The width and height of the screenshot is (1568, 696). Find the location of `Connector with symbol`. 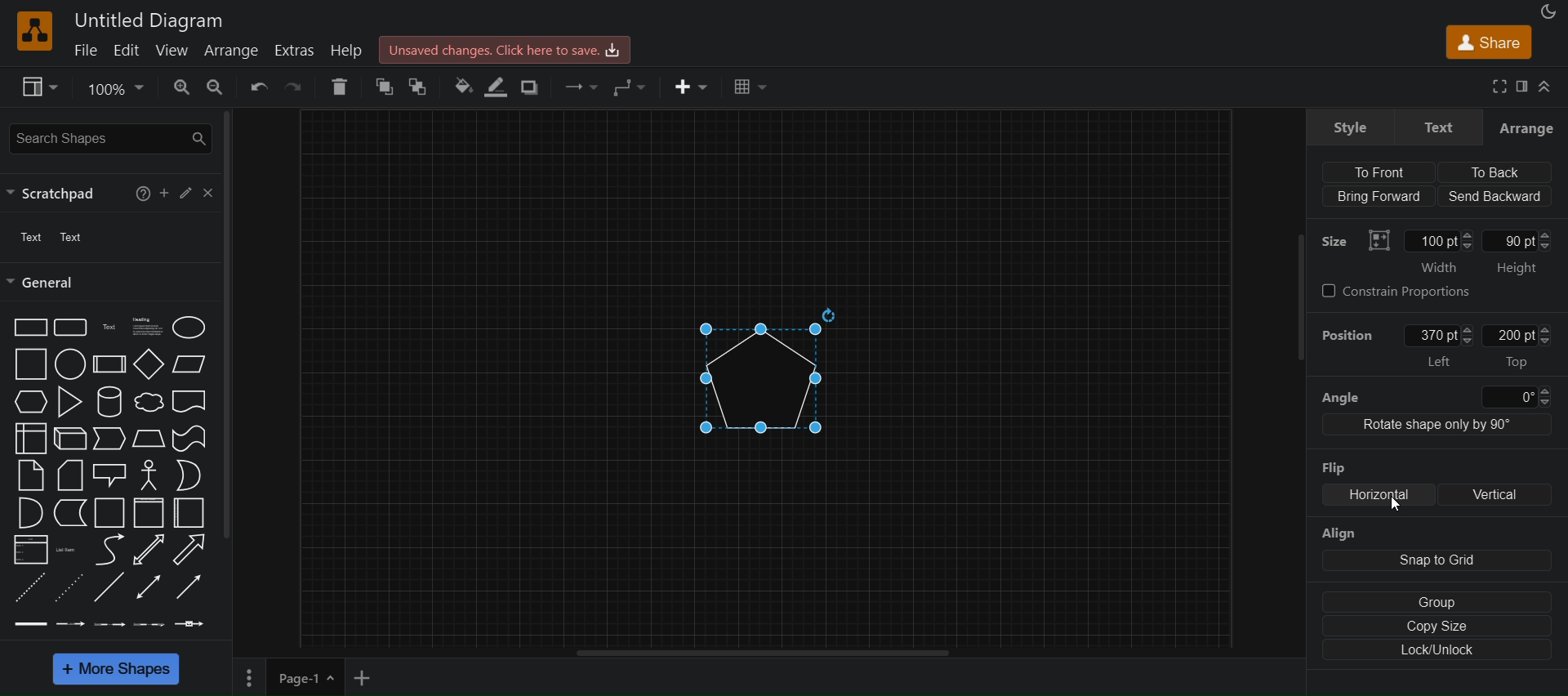

Connector with symbol is located at coordinates (190, 624).